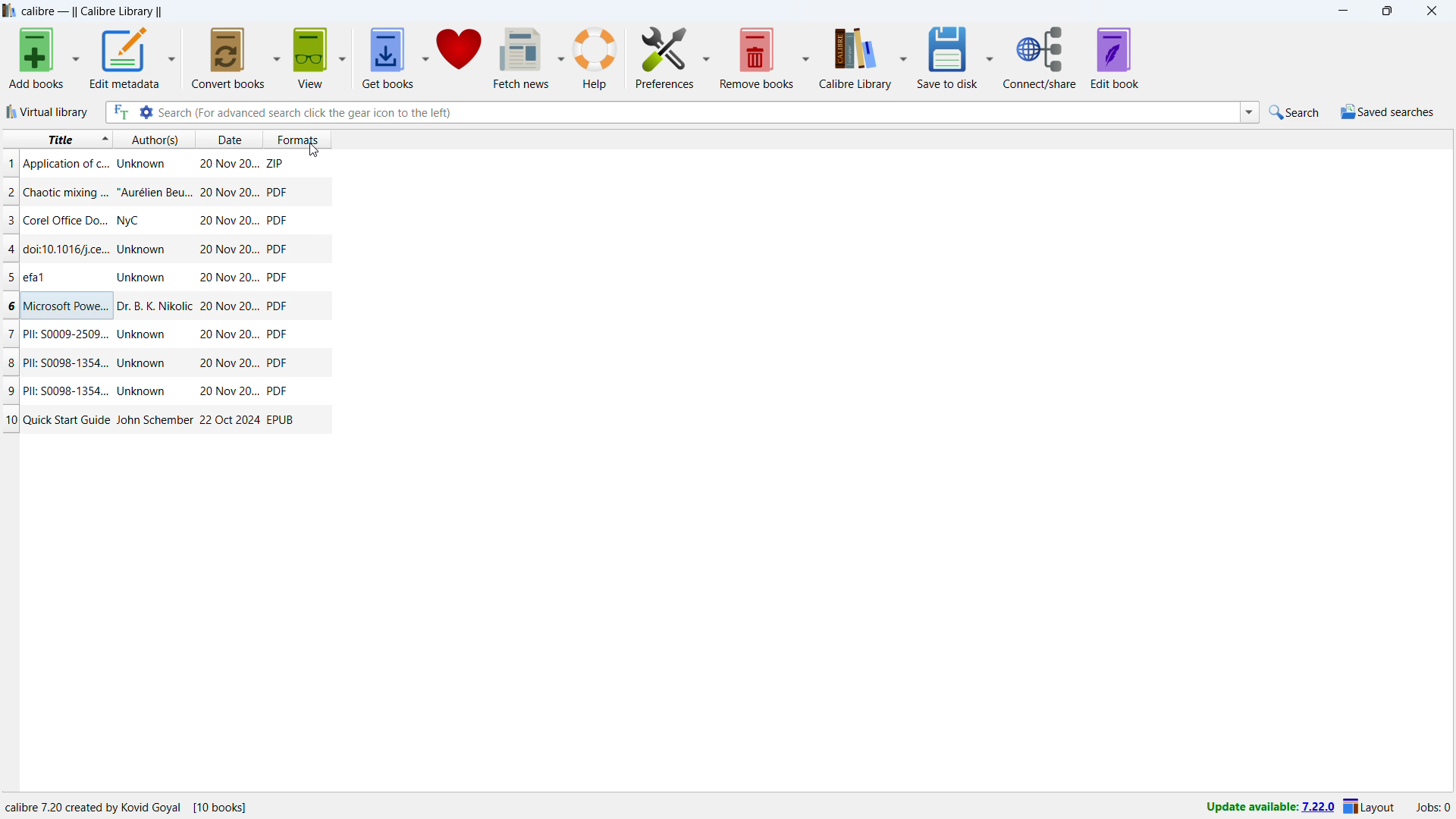 Image resolution: width=1456 pixels, height=819 pixels. Describe the element at coordinates (296, 138) in the screenshot. I see `formats` at that location.